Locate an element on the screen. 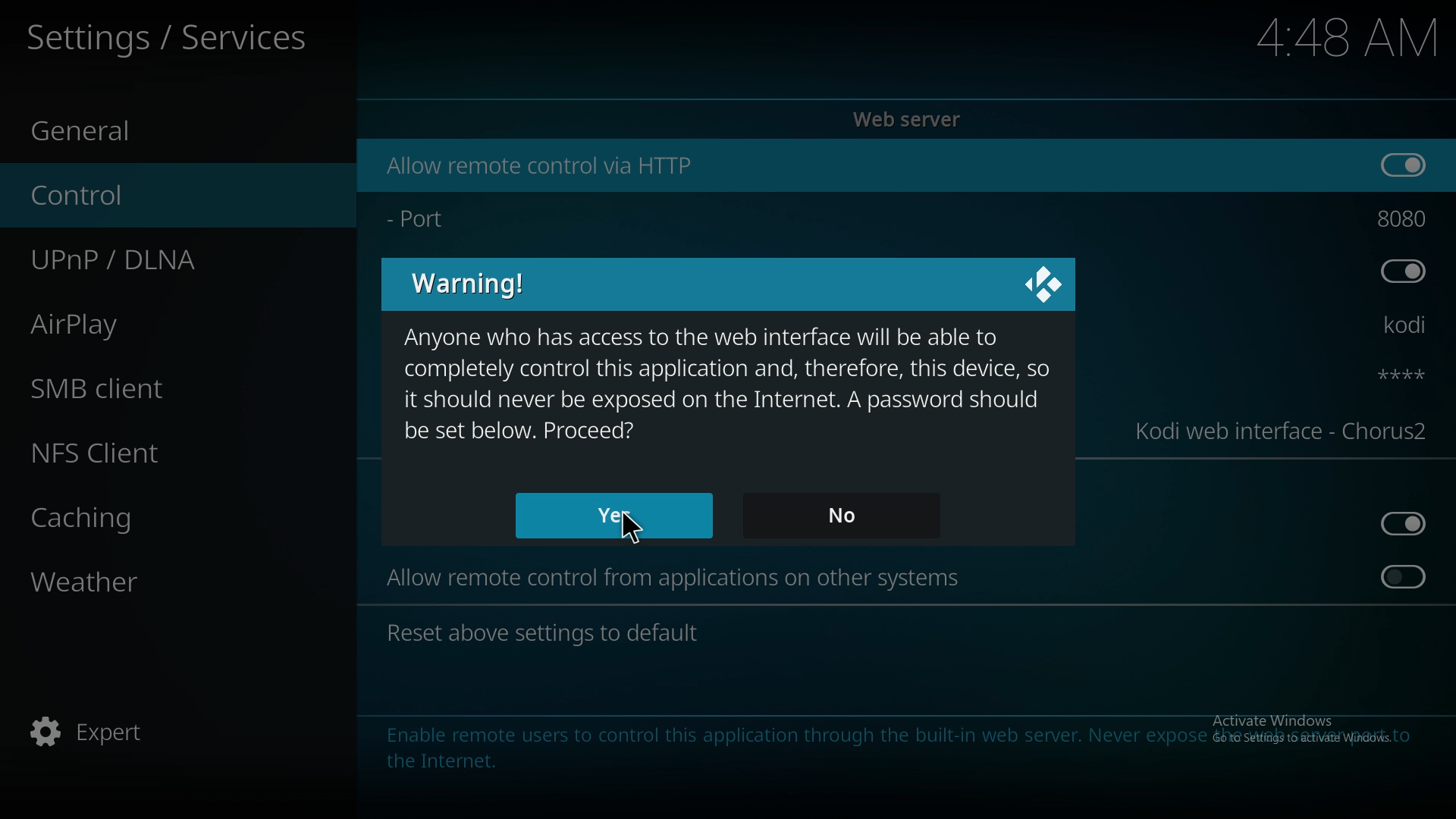  off is located at coordinates (1407, 271).